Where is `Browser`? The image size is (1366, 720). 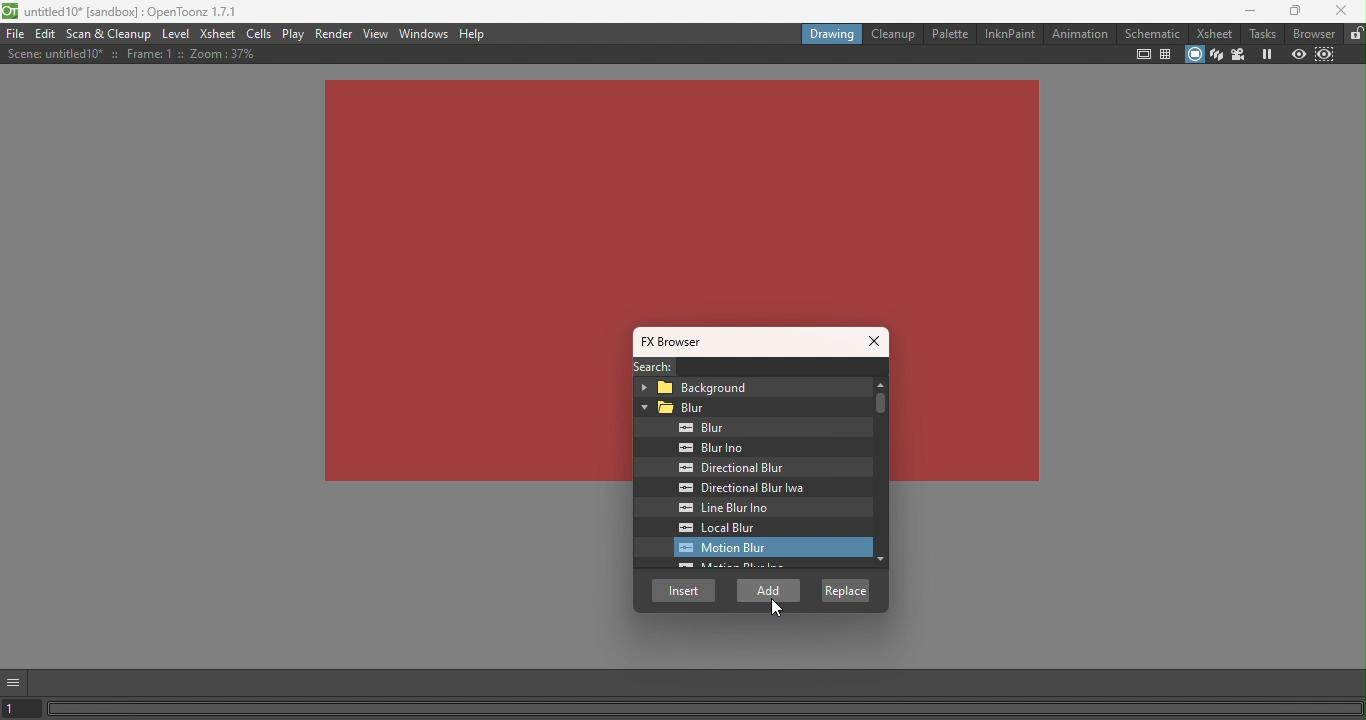 Browser is located at coordinates (1311, 34).